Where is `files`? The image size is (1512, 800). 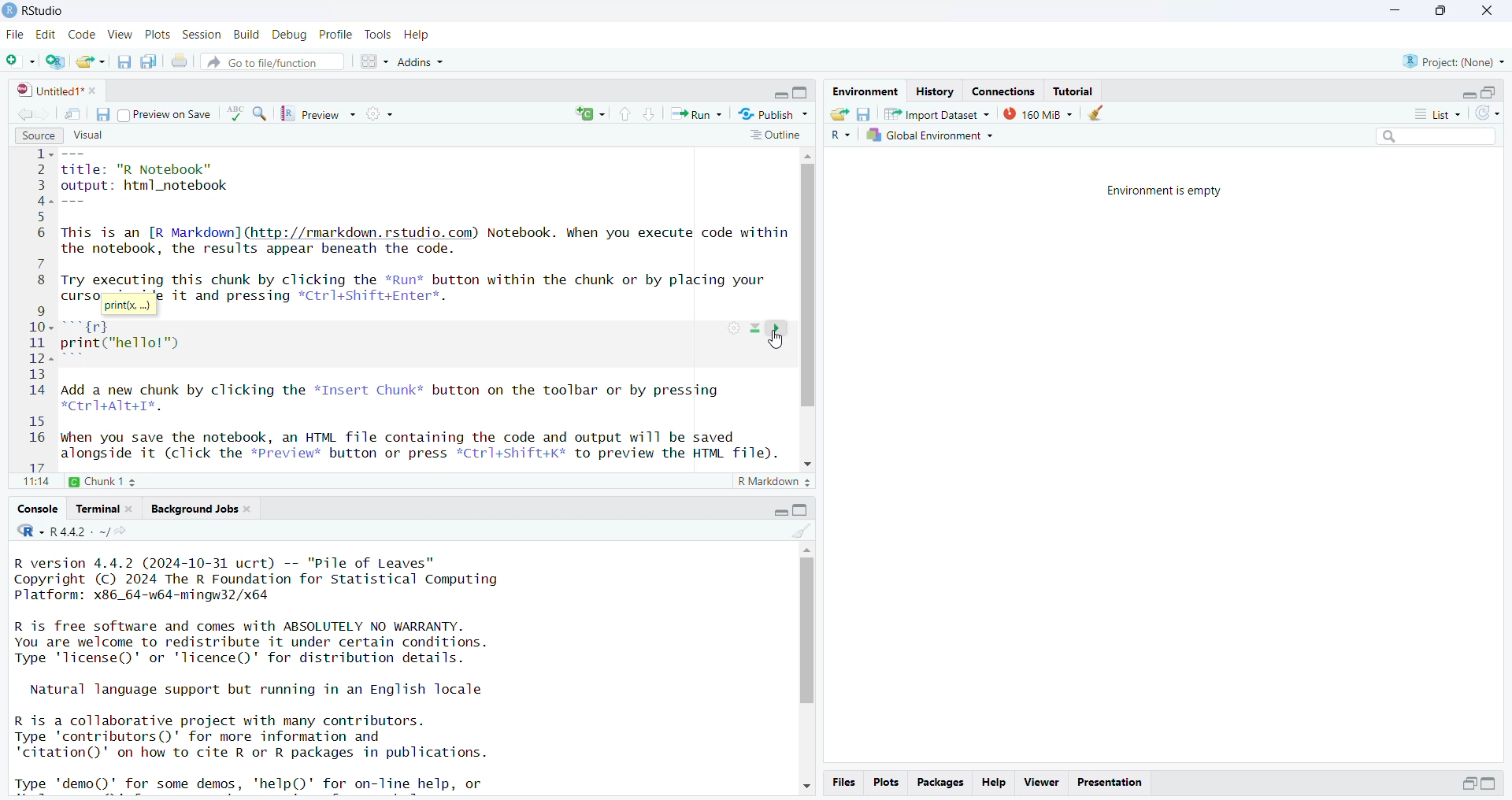 files is located at coordinates (843, 783).